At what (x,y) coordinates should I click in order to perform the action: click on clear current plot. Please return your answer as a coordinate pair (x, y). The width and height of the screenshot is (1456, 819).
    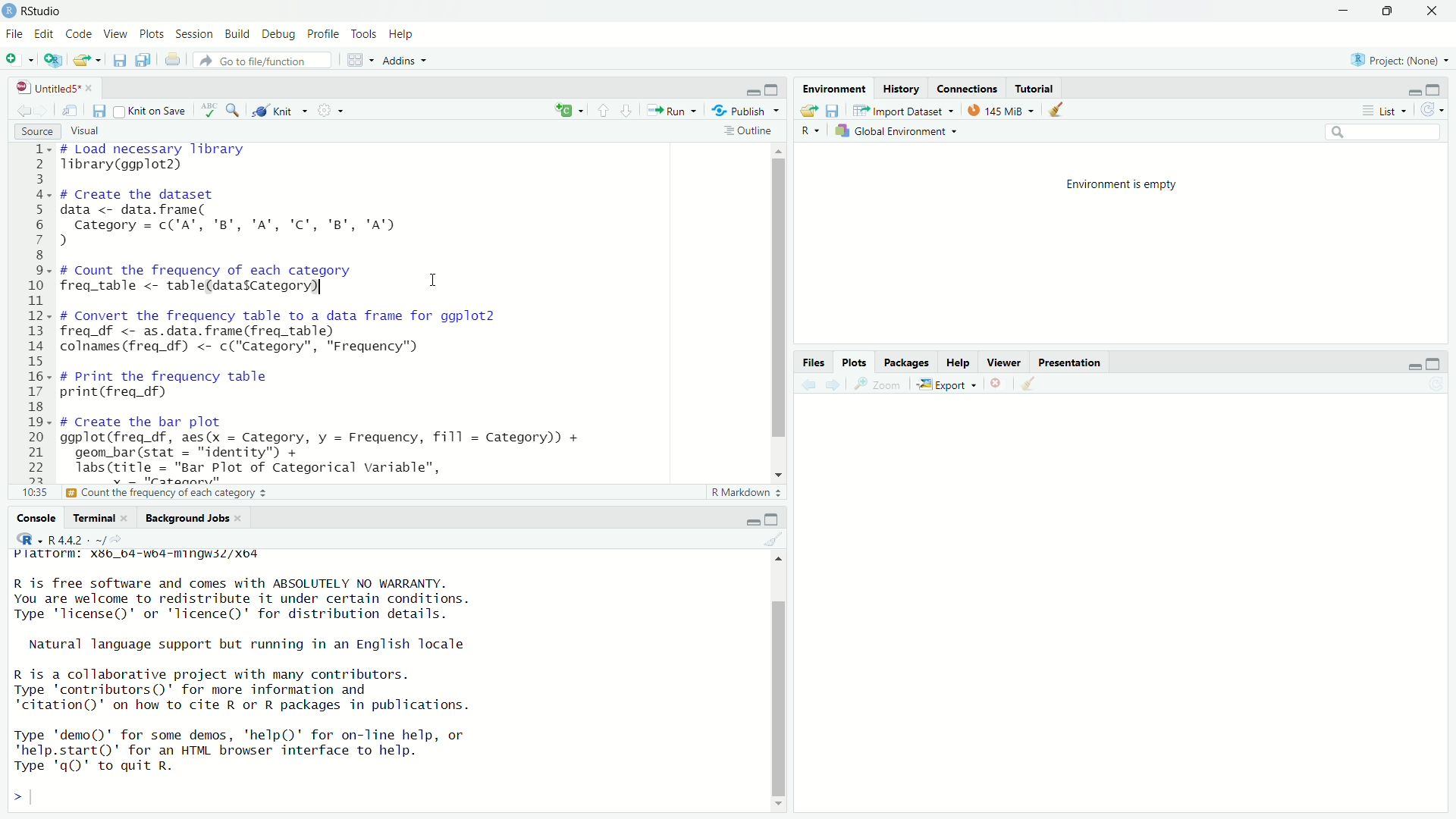
    Looking at the image, I should click on (997, 383).